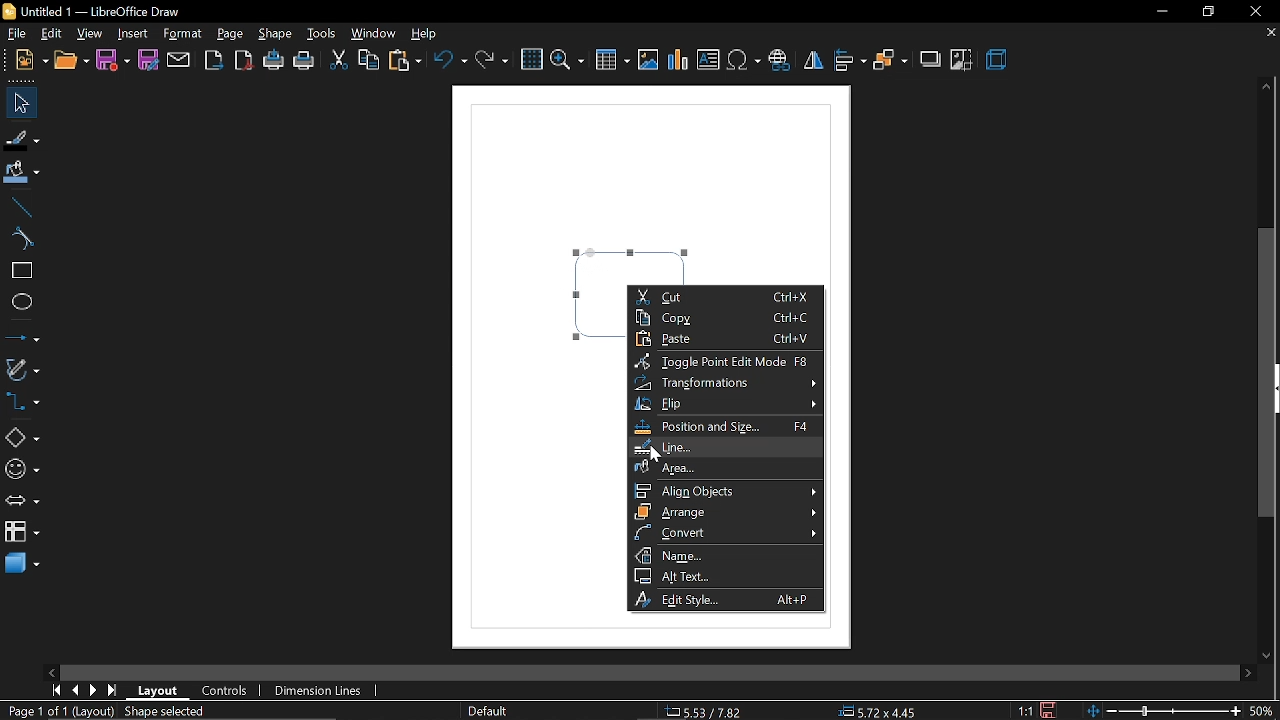  What do you see at coordinates (849, 61) in the screenshot?
I see `align` at bounding box center [849, 61].